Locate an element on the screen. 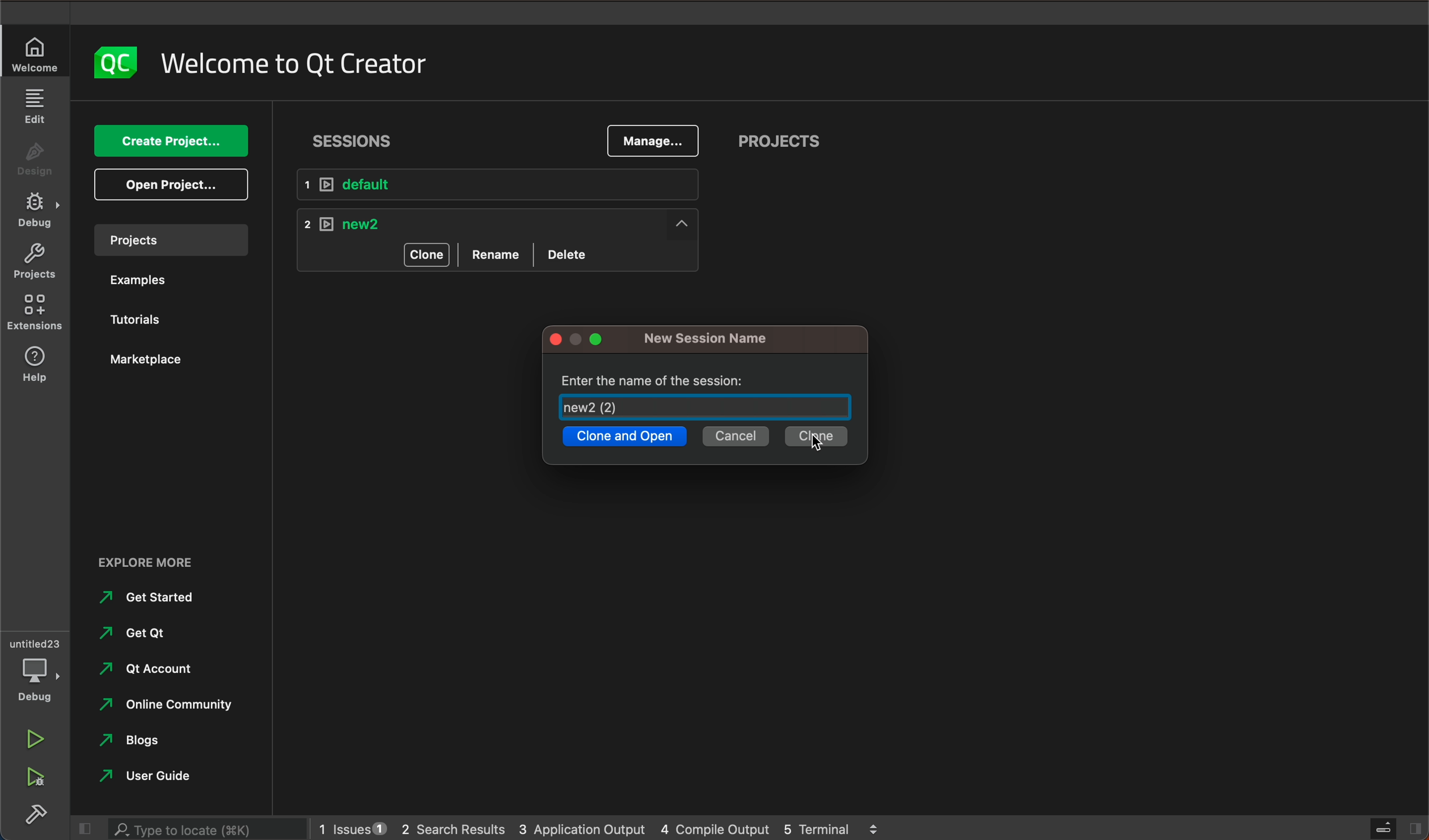 This screenshot has height=840, width=1429. search is located at coordinates (200, 828).